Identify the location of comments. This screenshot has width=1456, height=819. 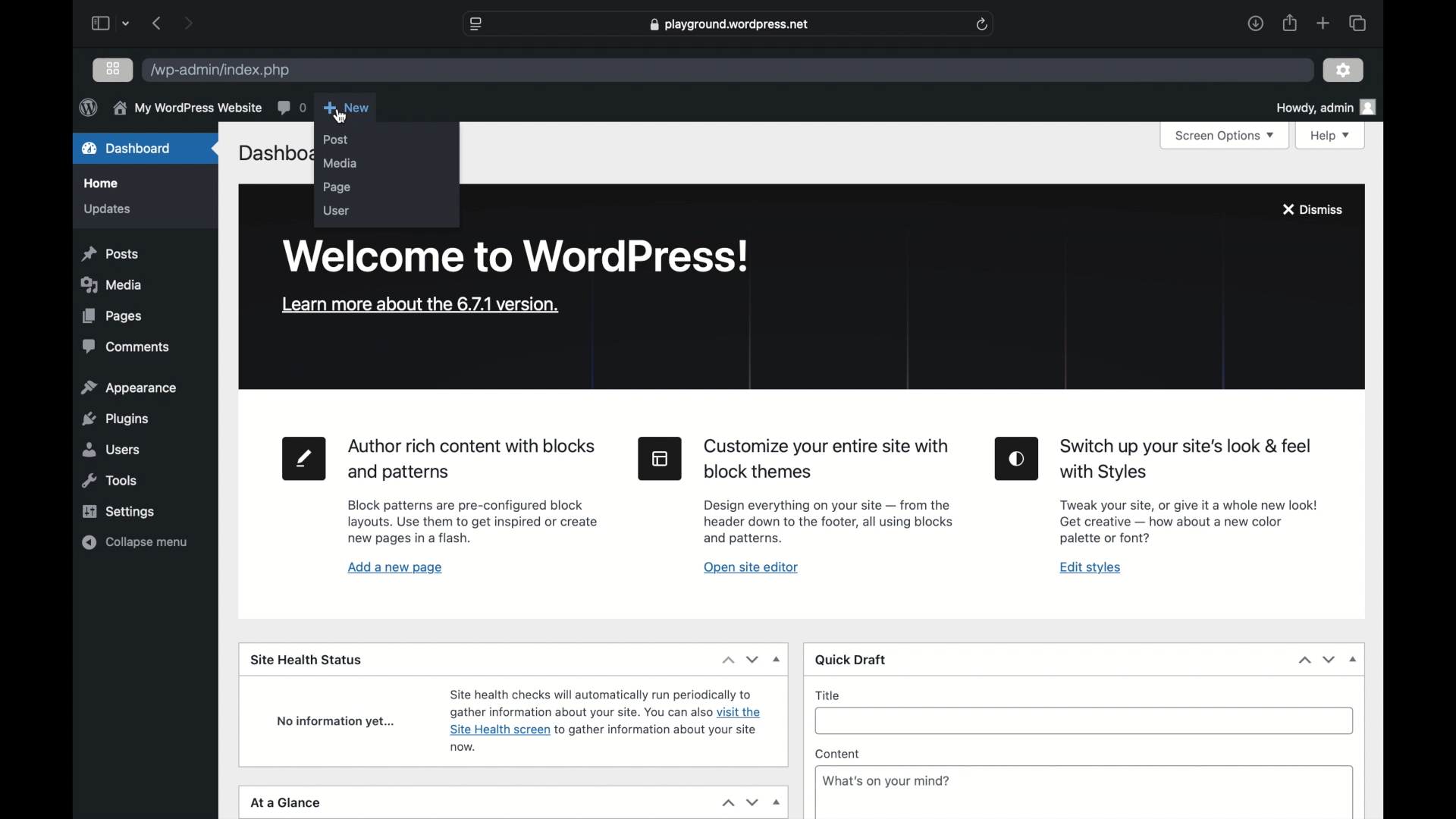
(290, 107).